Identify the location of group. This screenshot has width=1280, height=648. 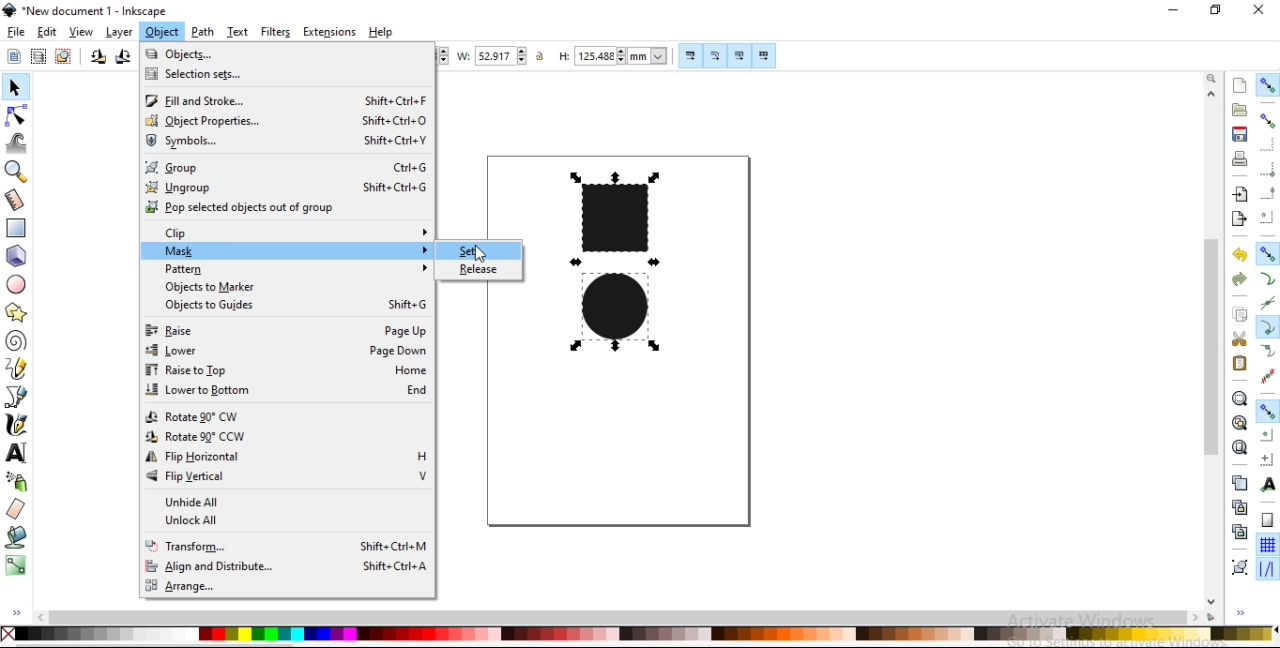
(286, 168).